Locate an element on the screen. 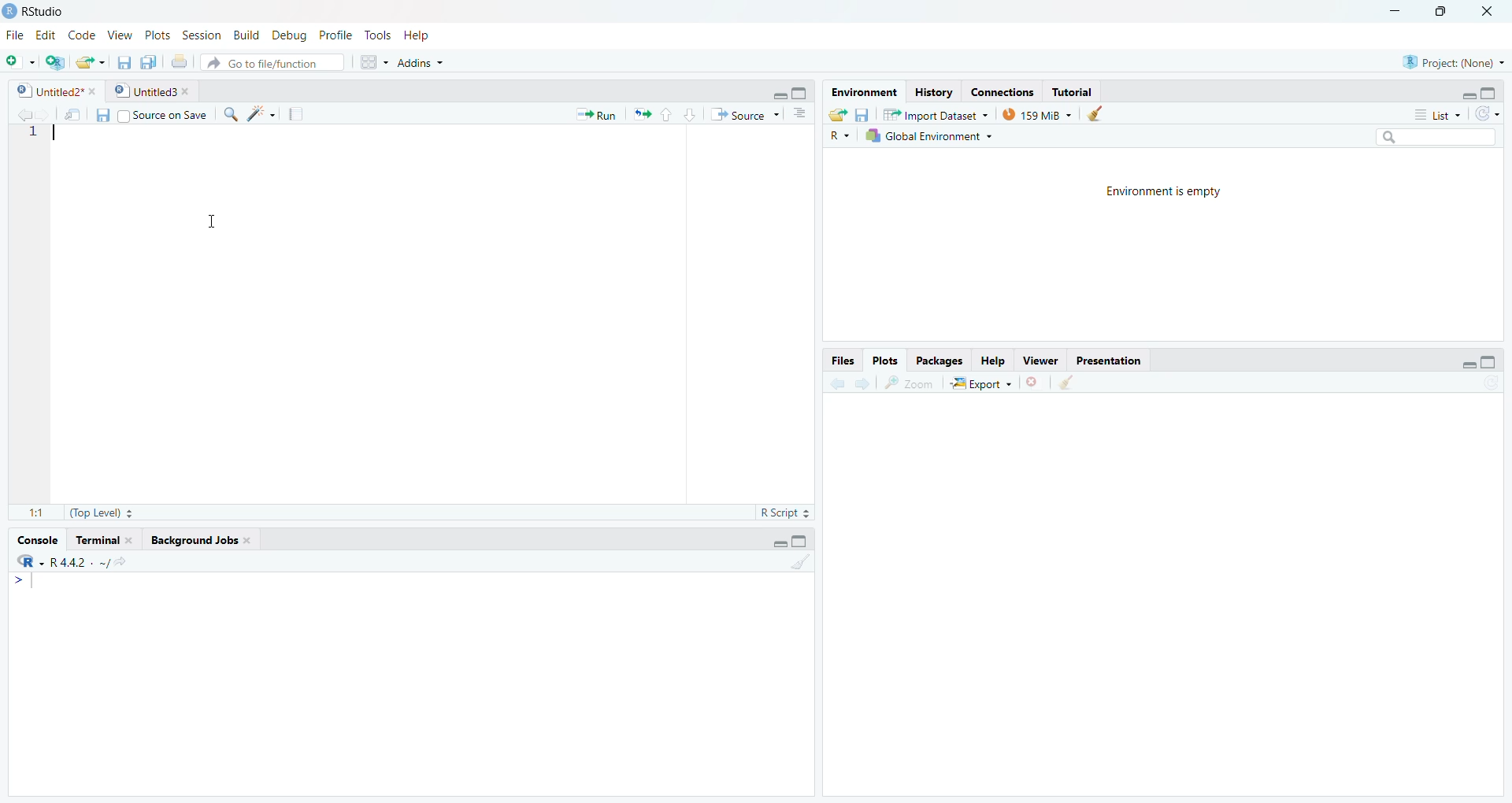 This screenshot has width=1512, height=803. Untitled2 is located at coordinates (57, 92).